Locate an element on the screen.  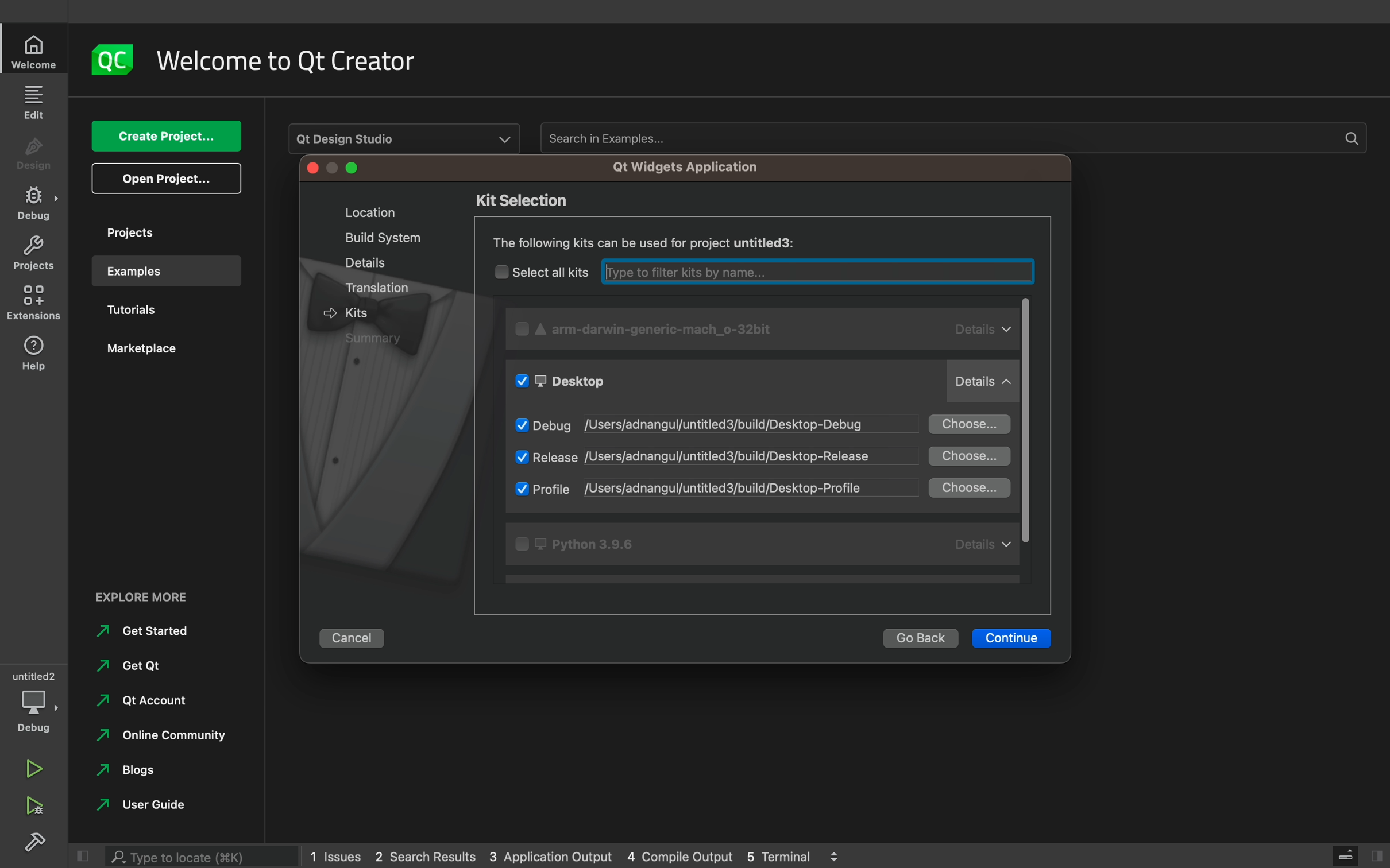
check button is located at coordinates (521, 458).